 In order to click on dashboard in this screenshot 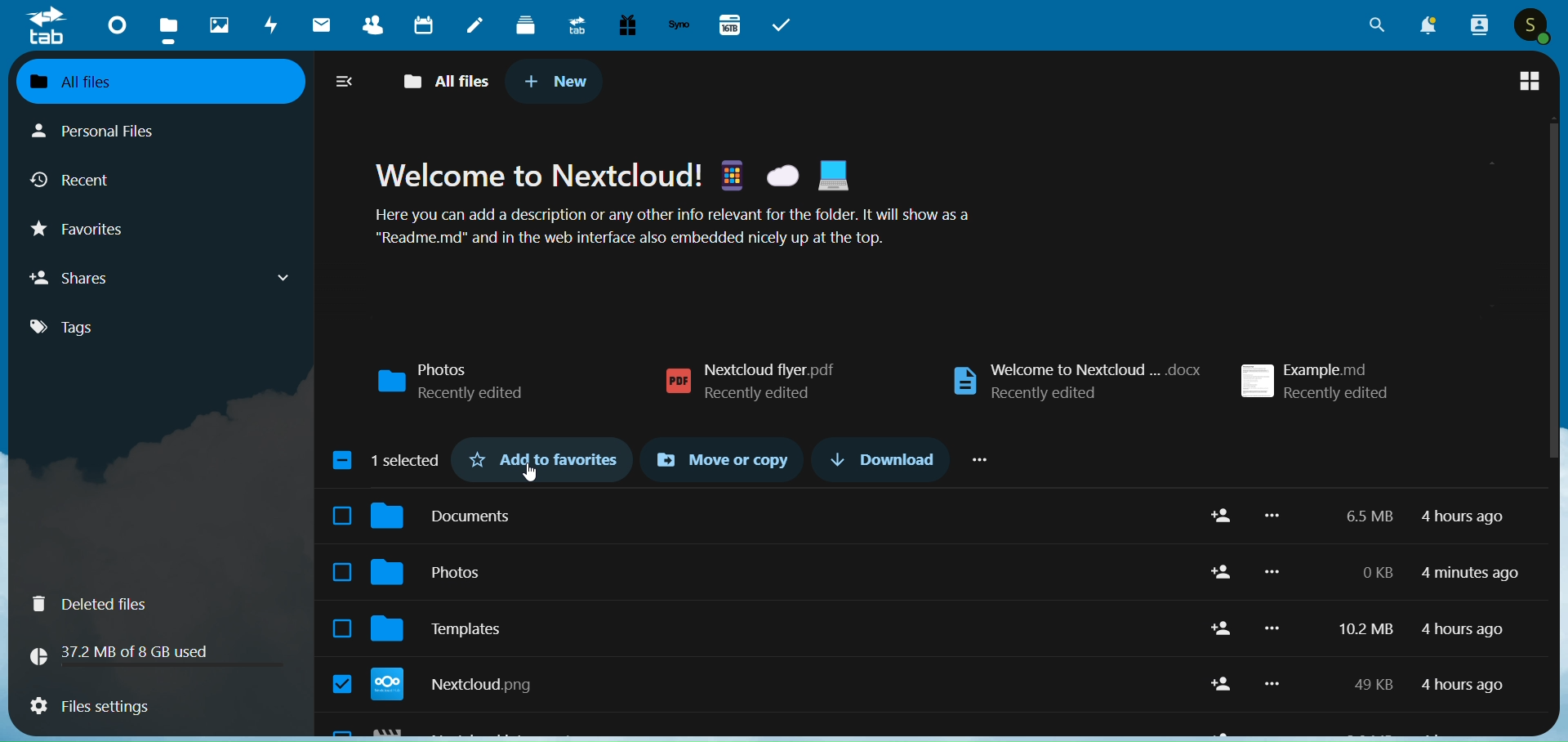, I will do `click(113, 26)`.